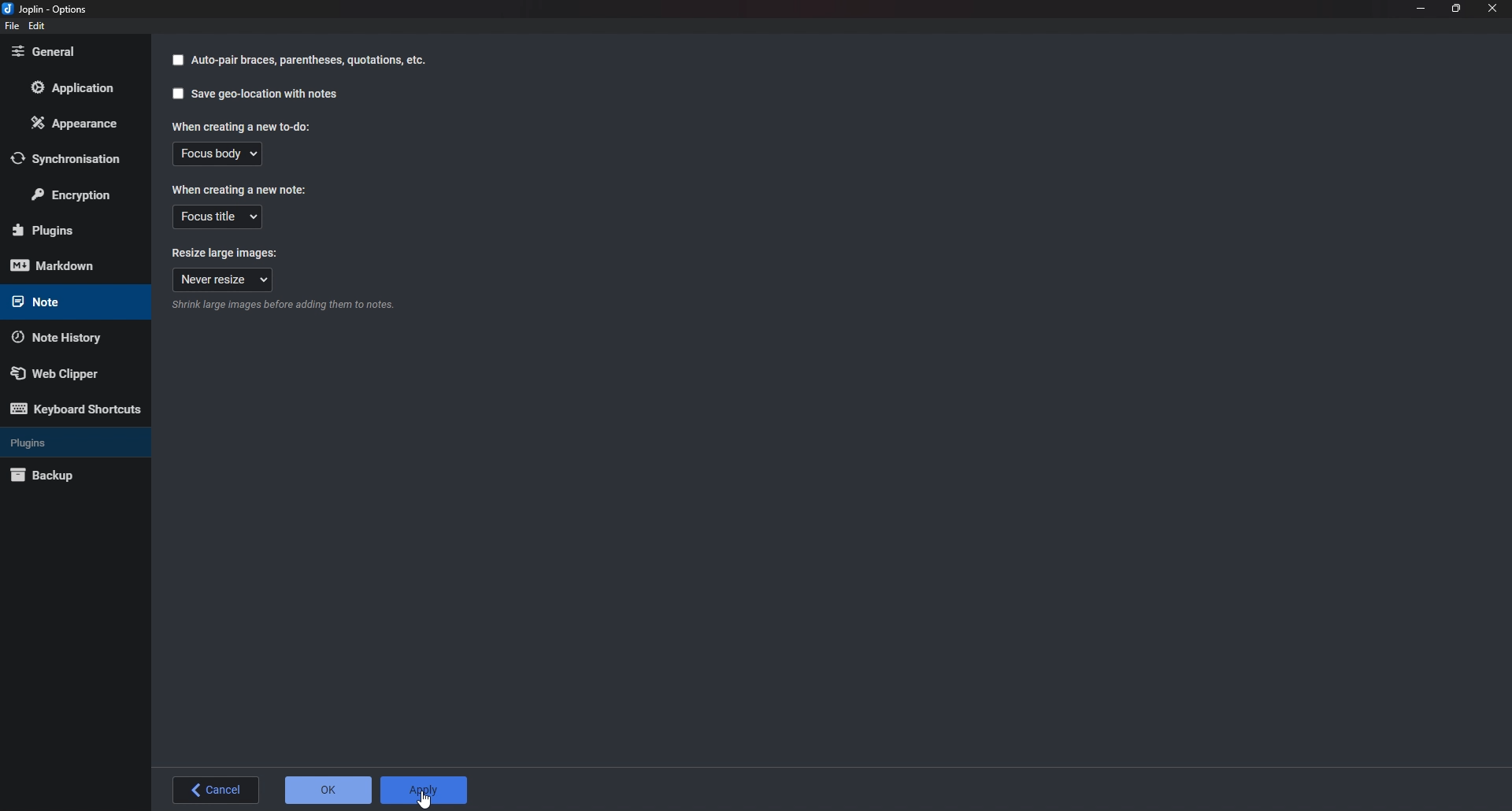  Describe the element at coordinates (63, 265) in the screenshot. I see `Mark down` at that location.